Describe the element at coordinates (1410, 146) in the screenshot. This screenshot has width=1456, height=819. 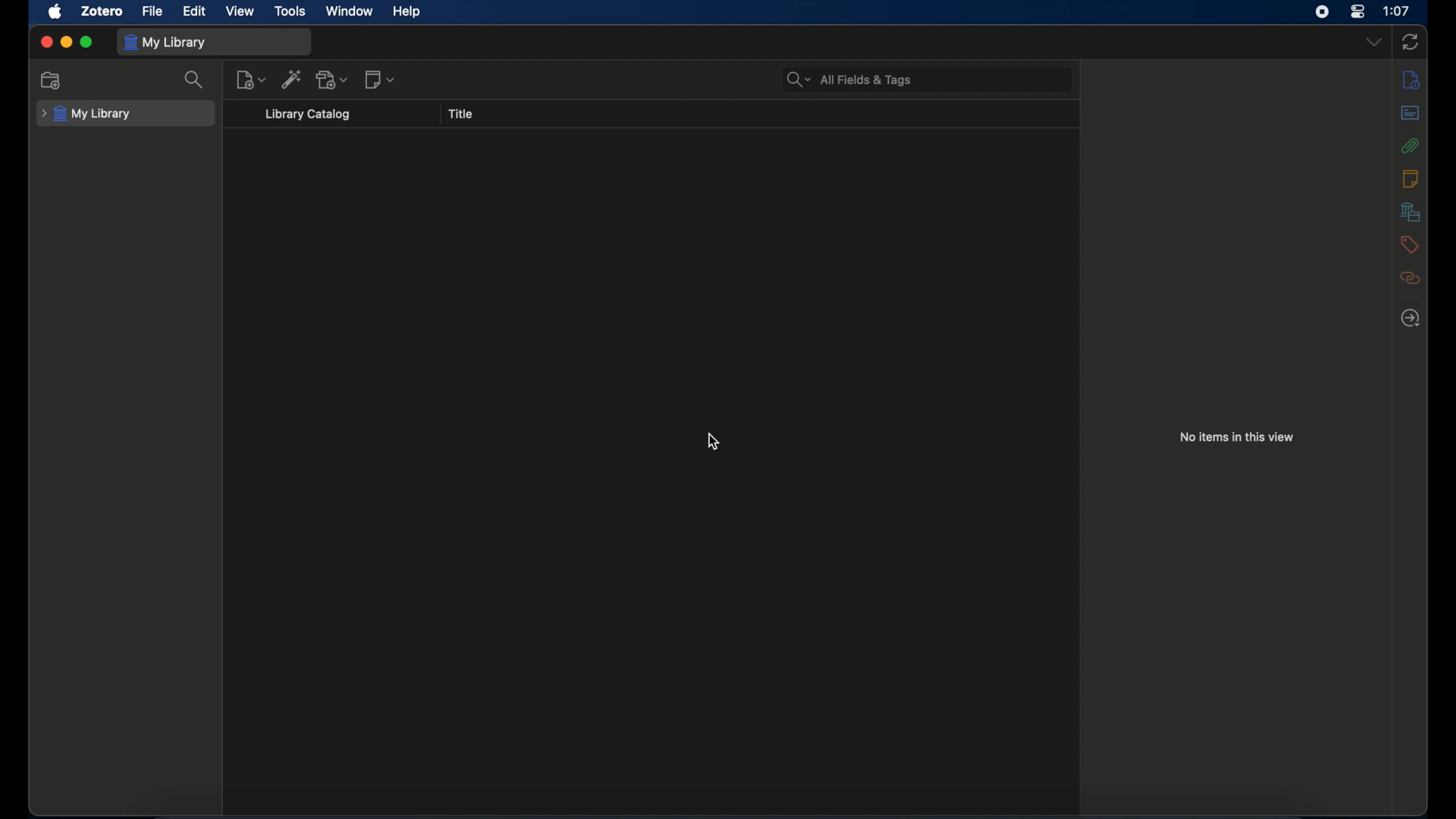
I see `attachments` at that location.